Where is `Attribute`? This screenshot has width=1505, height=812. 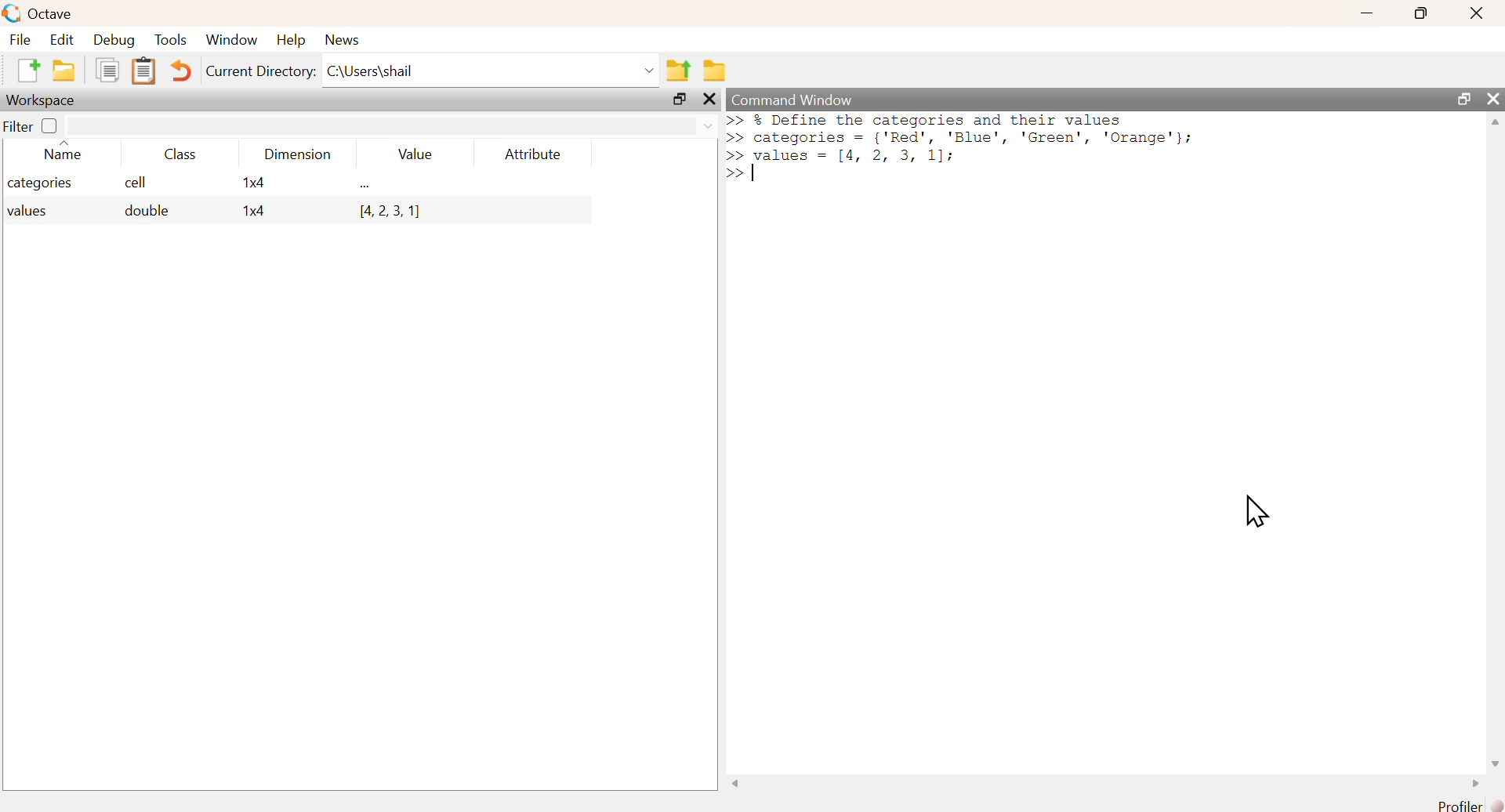
Attribute is located at coordinates (534, 154).